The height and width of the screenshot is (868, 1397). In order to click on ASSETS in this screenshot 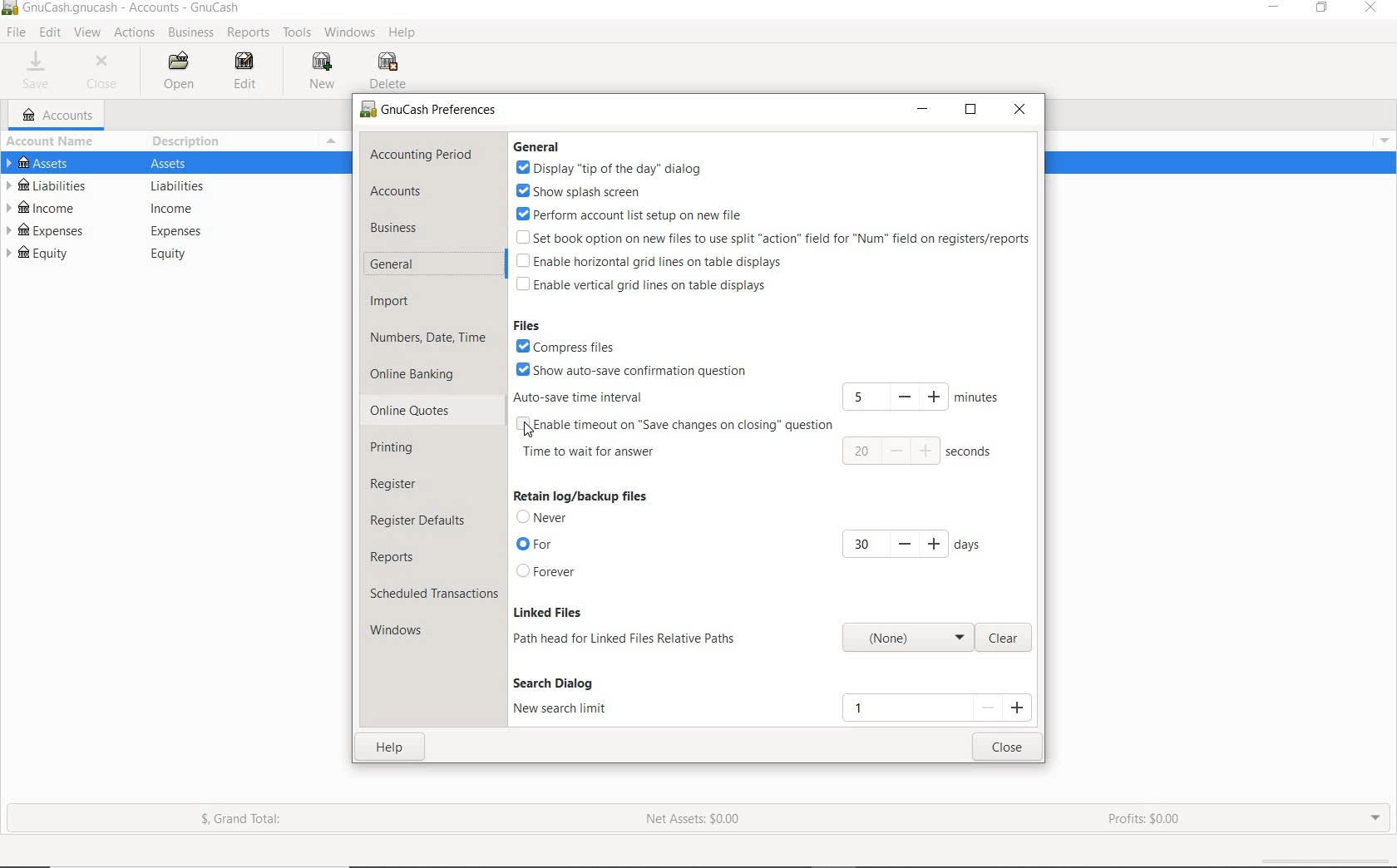, I will do `click(165, 165)`.